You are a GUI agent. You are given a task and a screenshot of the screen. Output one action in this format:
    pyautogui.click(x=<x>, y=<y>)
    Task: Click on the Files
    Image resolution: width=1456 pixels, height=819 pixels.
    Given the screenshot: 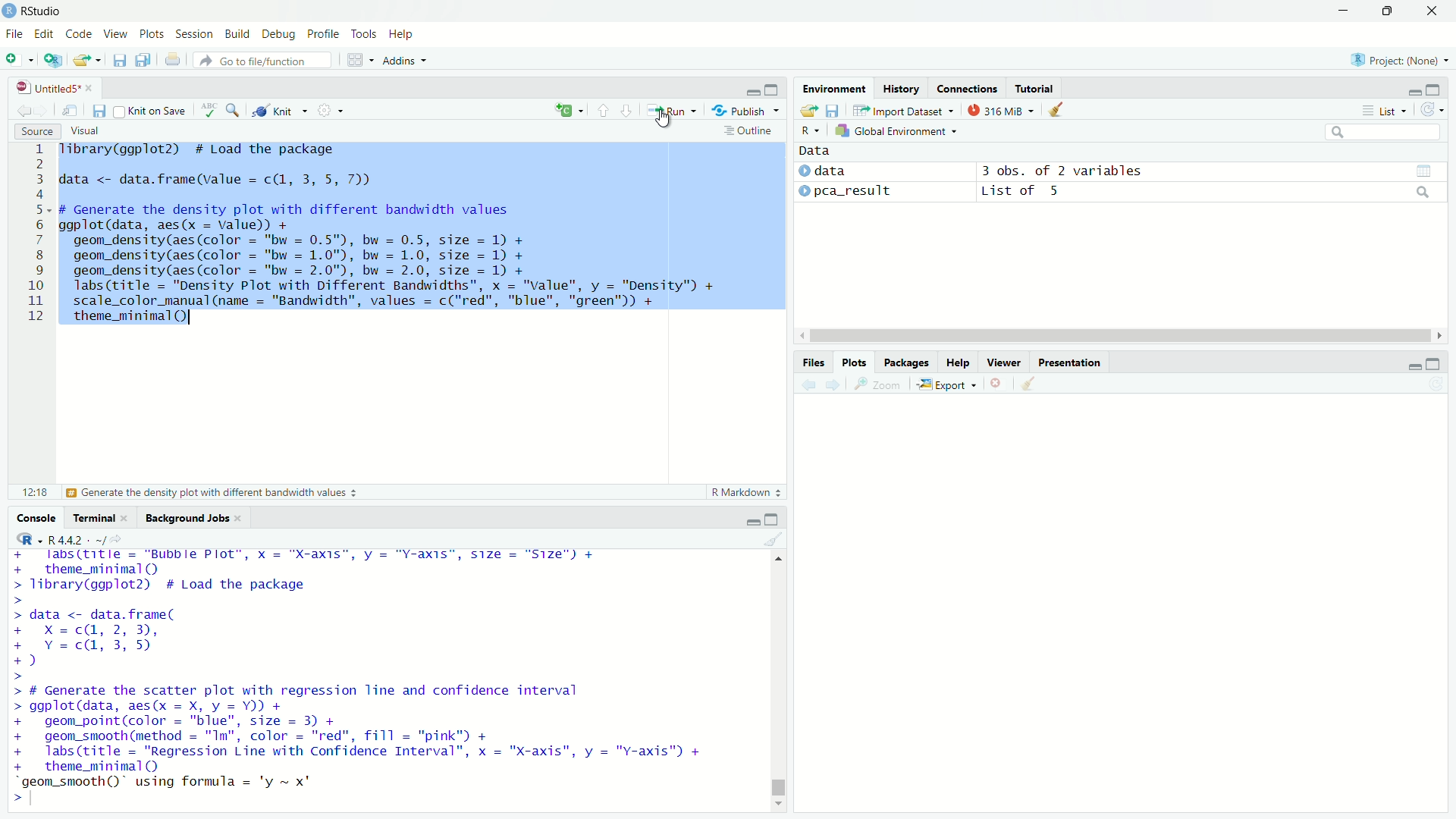 What is the action you would take?
    pyautogui.click(x=813, y=362)
    